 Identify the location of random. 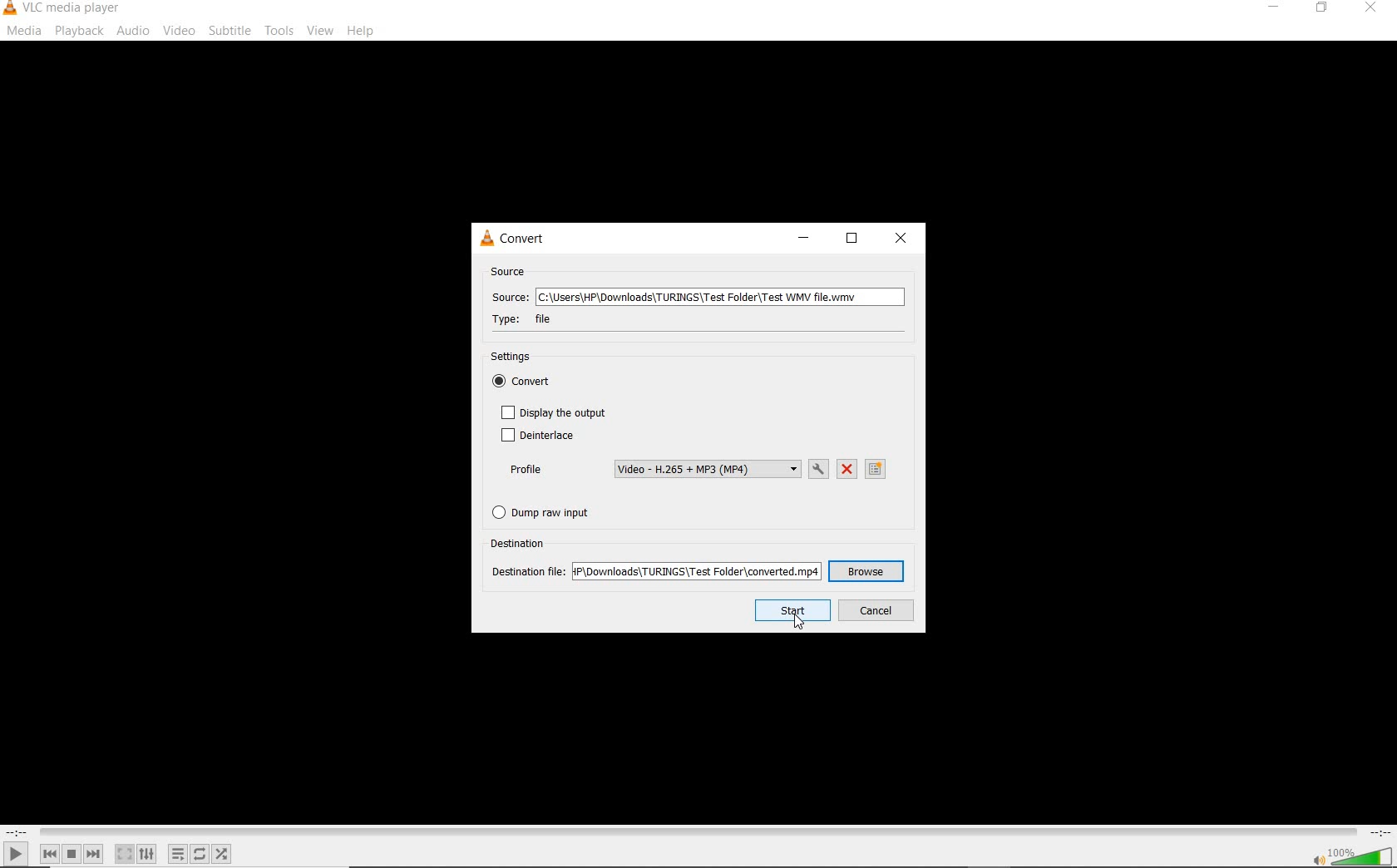
(221, 854).